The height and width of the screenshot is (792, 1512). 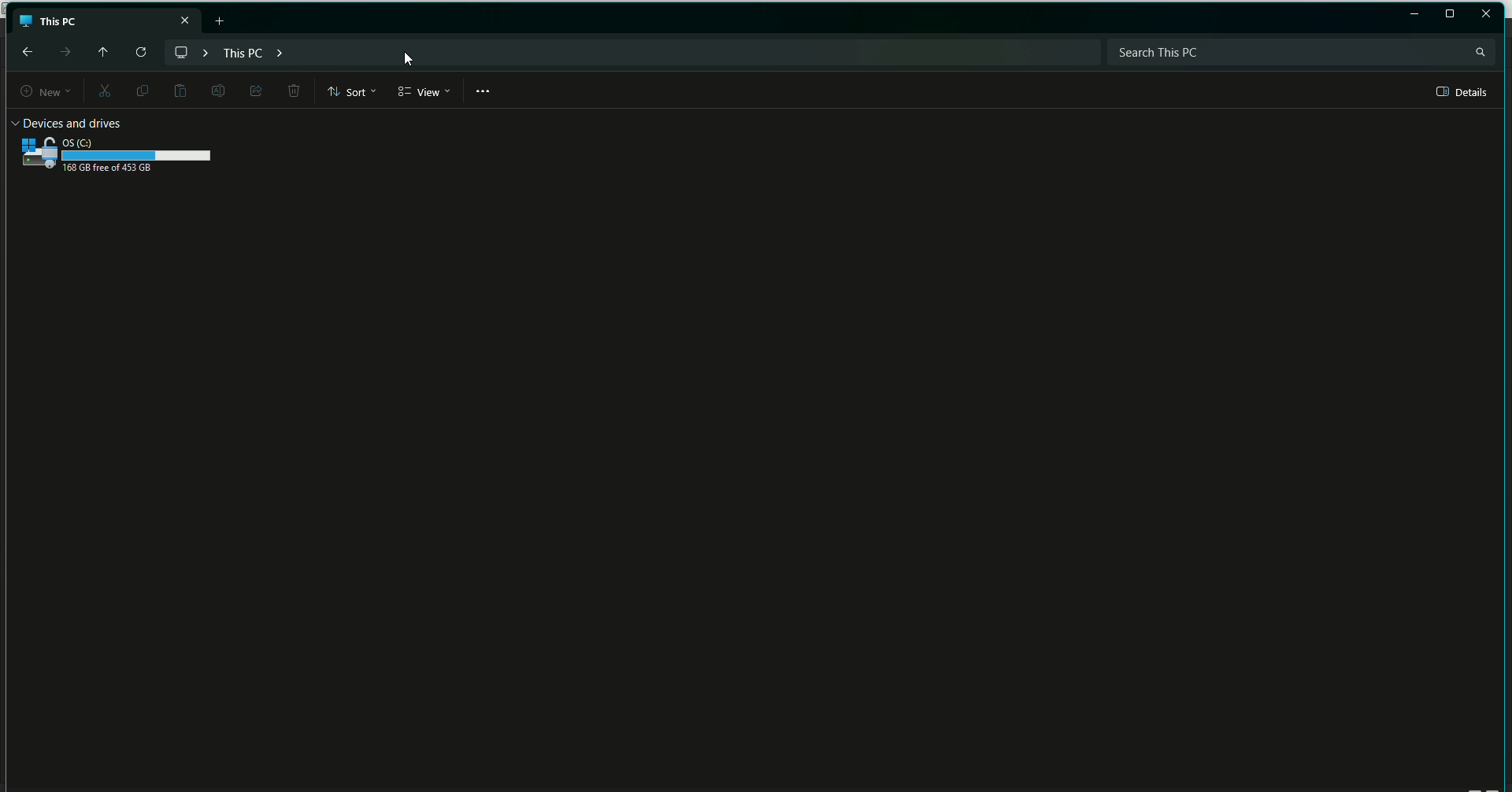 I want to click on Cut, so click(x=102, y=92).